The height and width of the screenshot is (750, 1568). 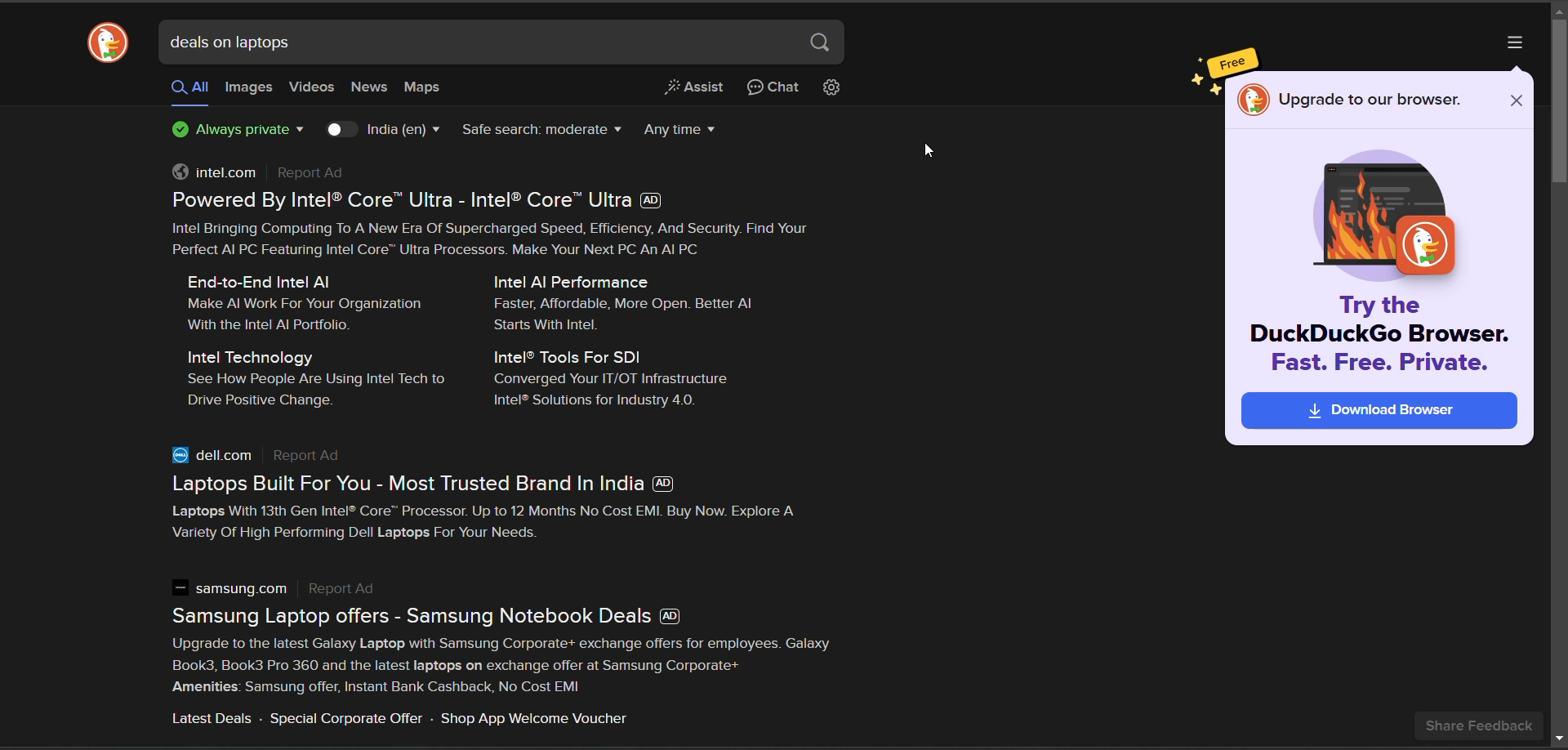 I want to click on End-to-End Intel Al
Make Al Work For Your Organization
With the Intel Al Portfolio., so click(x=305, y=302).